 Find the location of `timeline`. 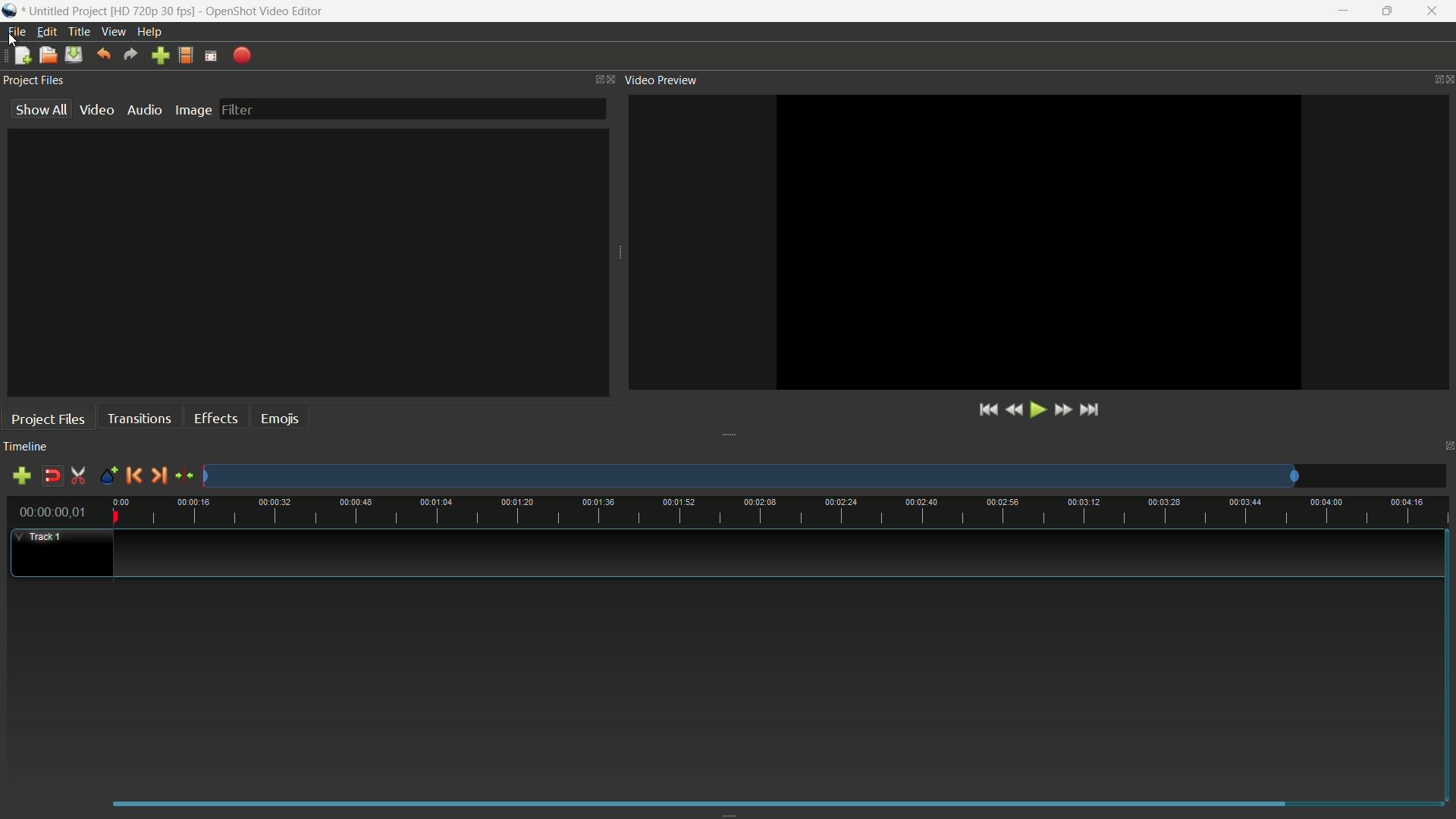

timeline is located at coordinates (26, 446).